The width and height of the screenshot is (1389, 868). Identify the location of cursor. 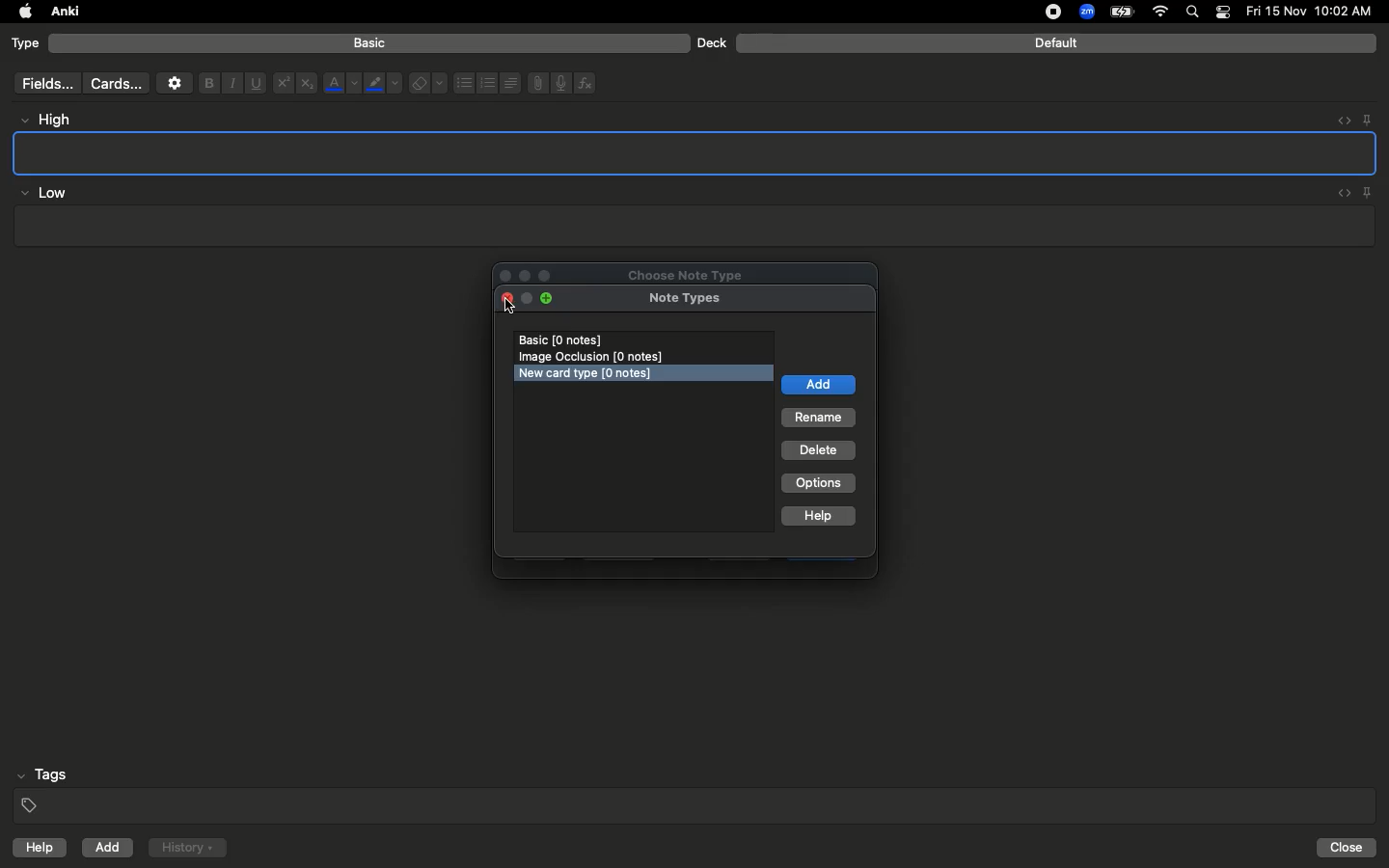
(511, 307).